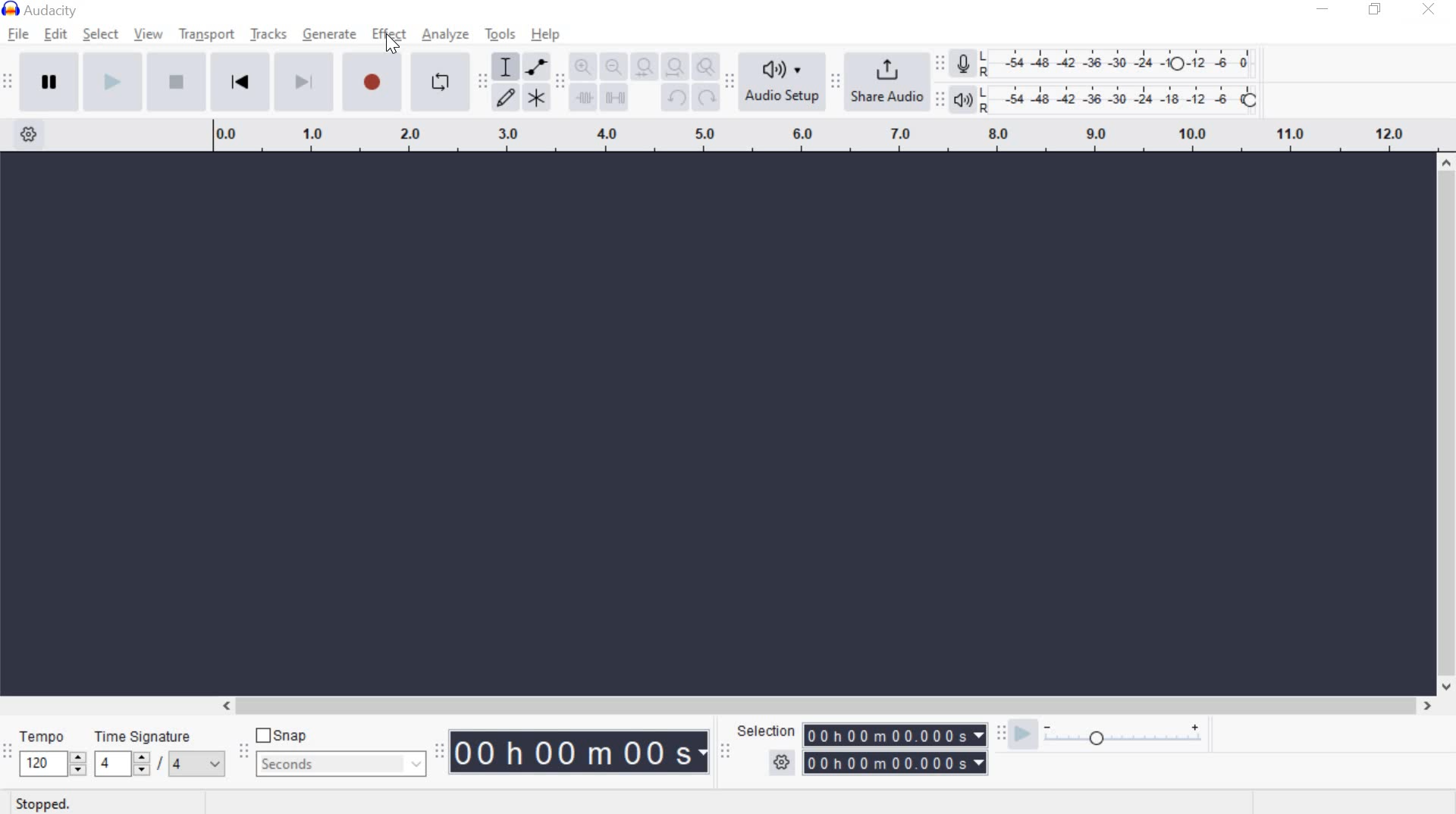 The width and height of the screenshot is (1456, 814). Describe the element at coordinates (1127, 739) in the screenshot. I see `plat at speed` at that location.